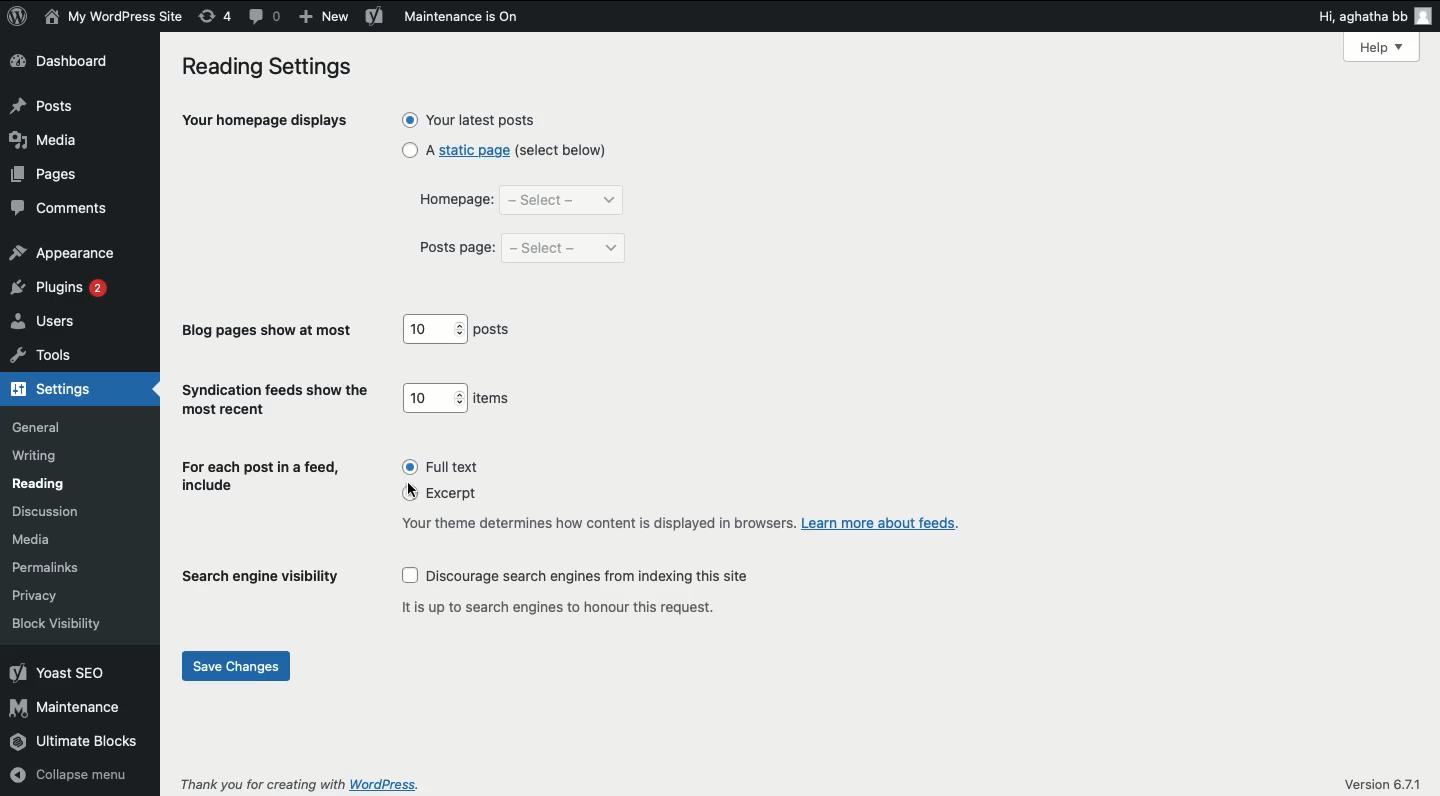 The image size is (1440, 796). What do you see at coordinates (237, 667) in the screenshot?
I see `save changes` at bounding box center [237, 667].